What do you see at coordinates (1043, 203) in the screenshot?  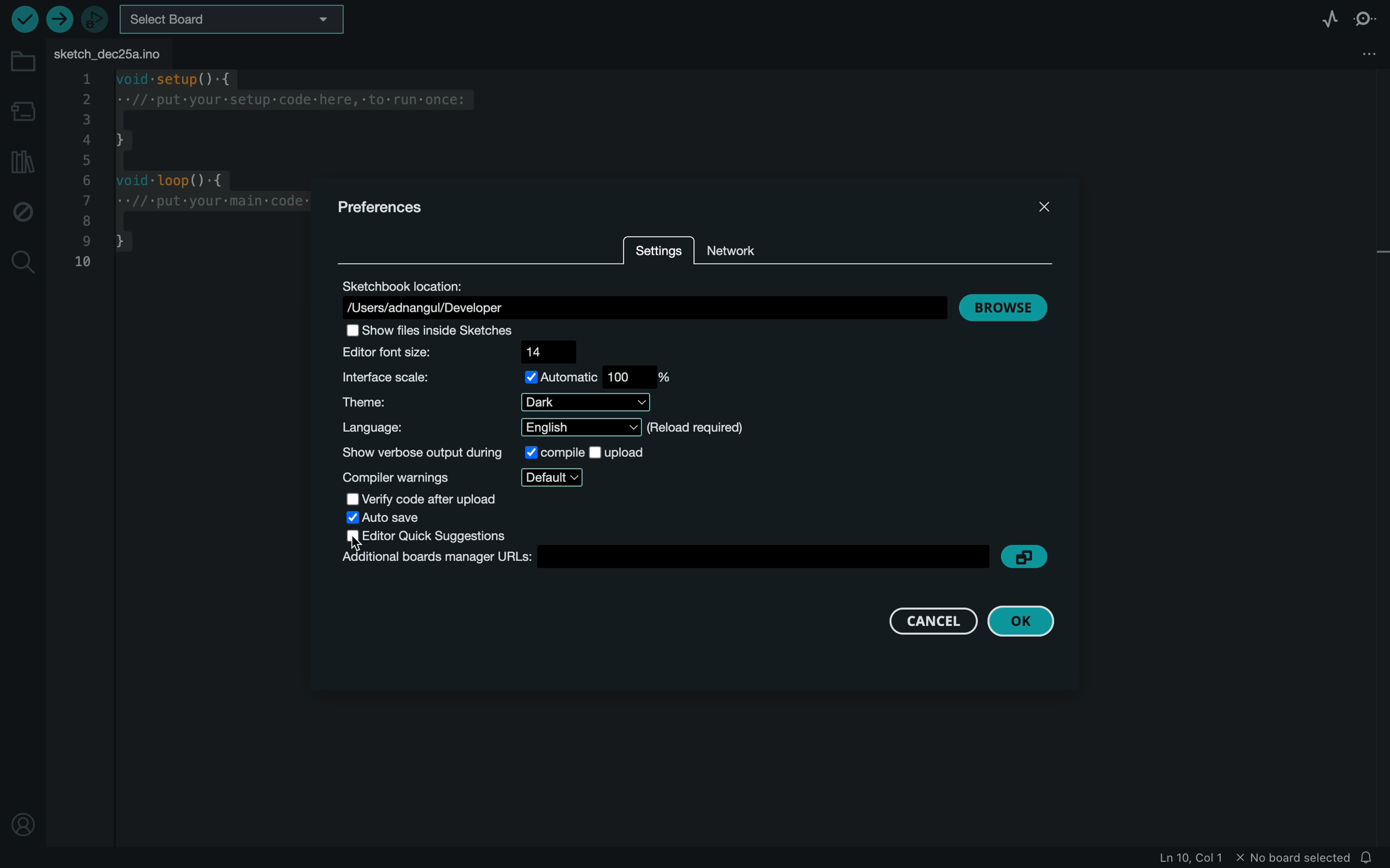 I see `close` at bounding box center [1043, 203].